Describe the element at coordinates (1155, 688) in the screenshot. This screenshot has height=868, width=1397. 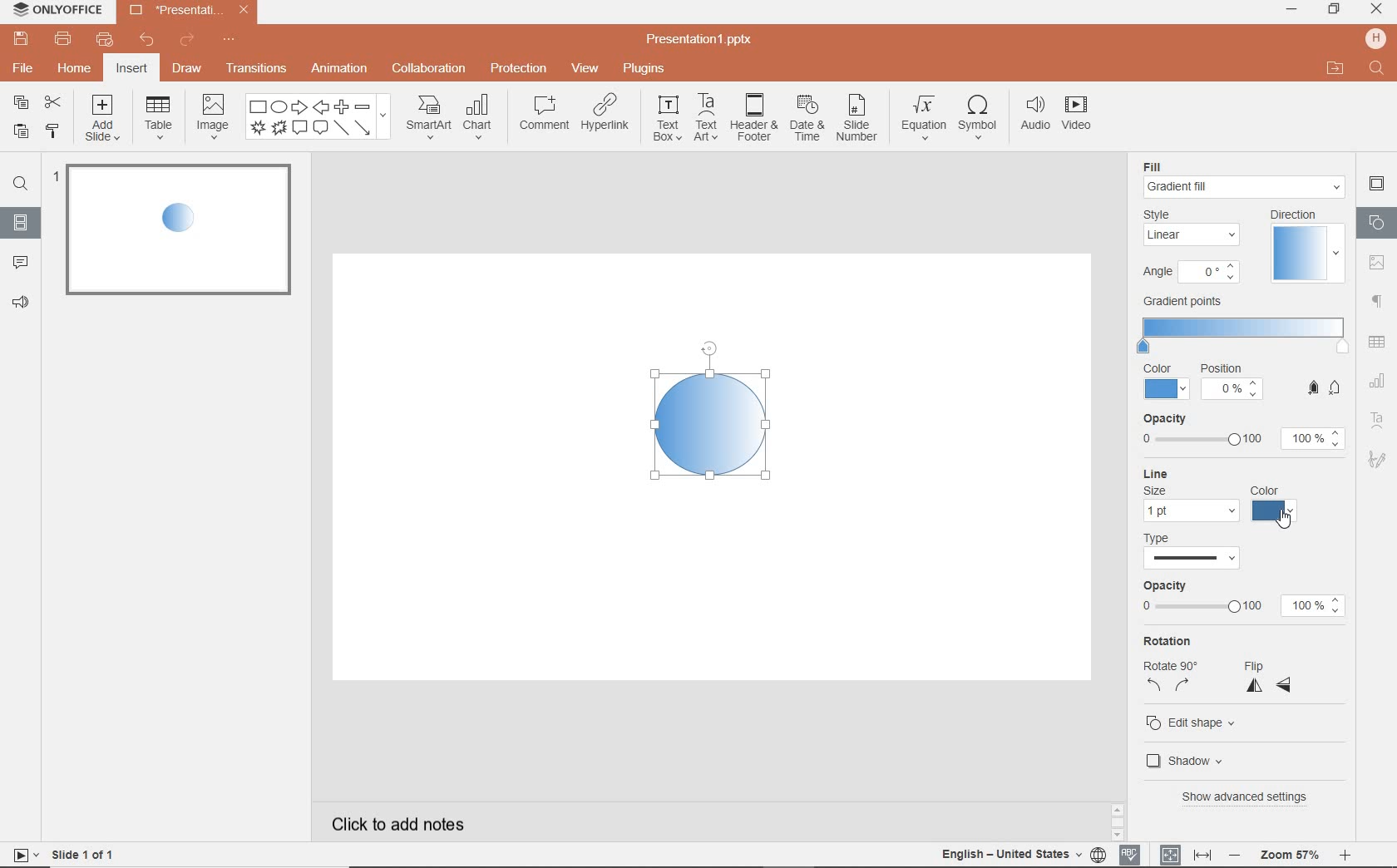
I see `left` at that location.